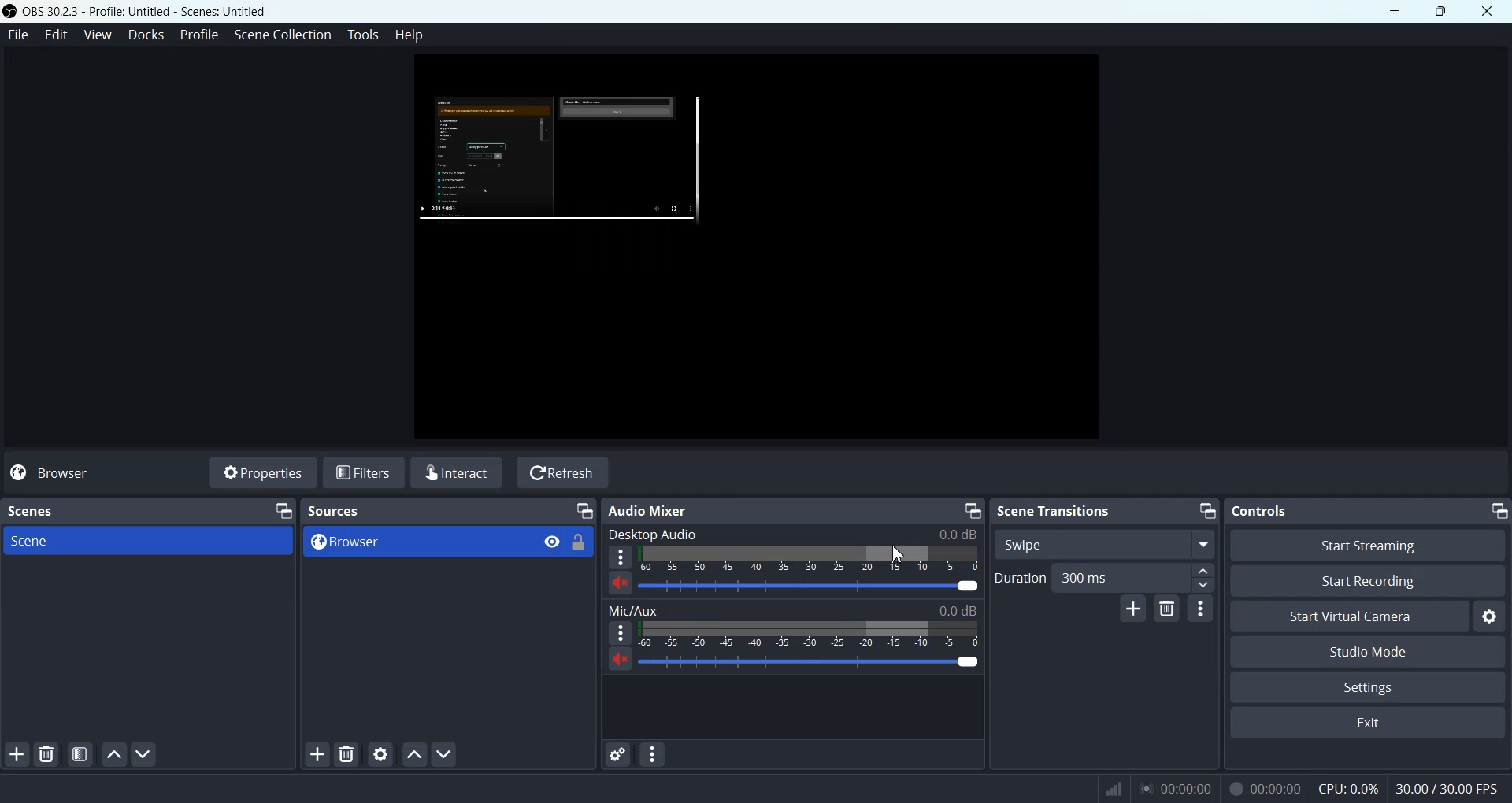 This screenshot has height=803, width=1512. What do you see at coordinates (80, 754) in the screenshot?
I see `Open scene Filter` at bounding box center [80, 754].